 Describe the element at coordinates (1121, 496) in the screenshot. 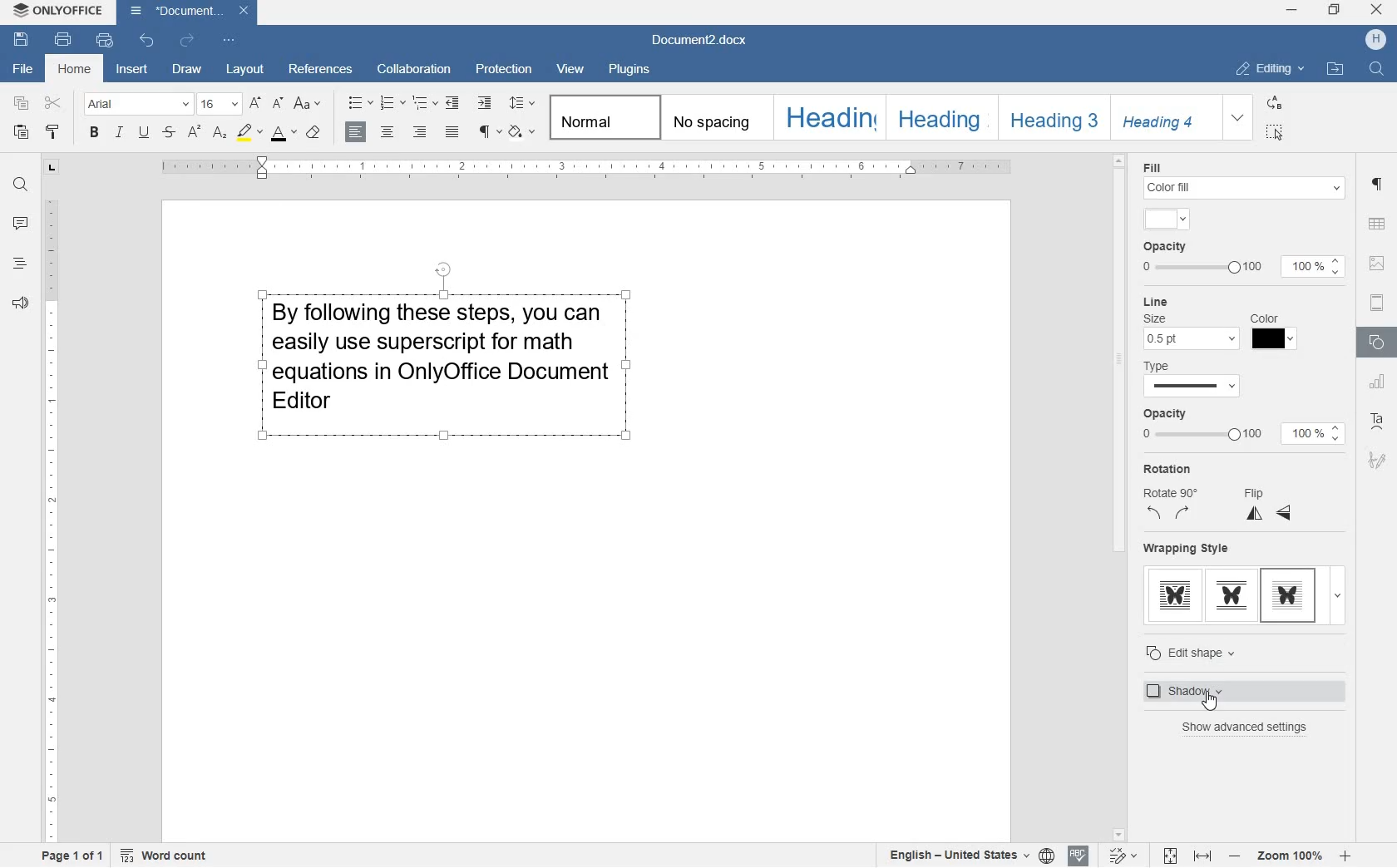

I see `scrollbar` at that location.